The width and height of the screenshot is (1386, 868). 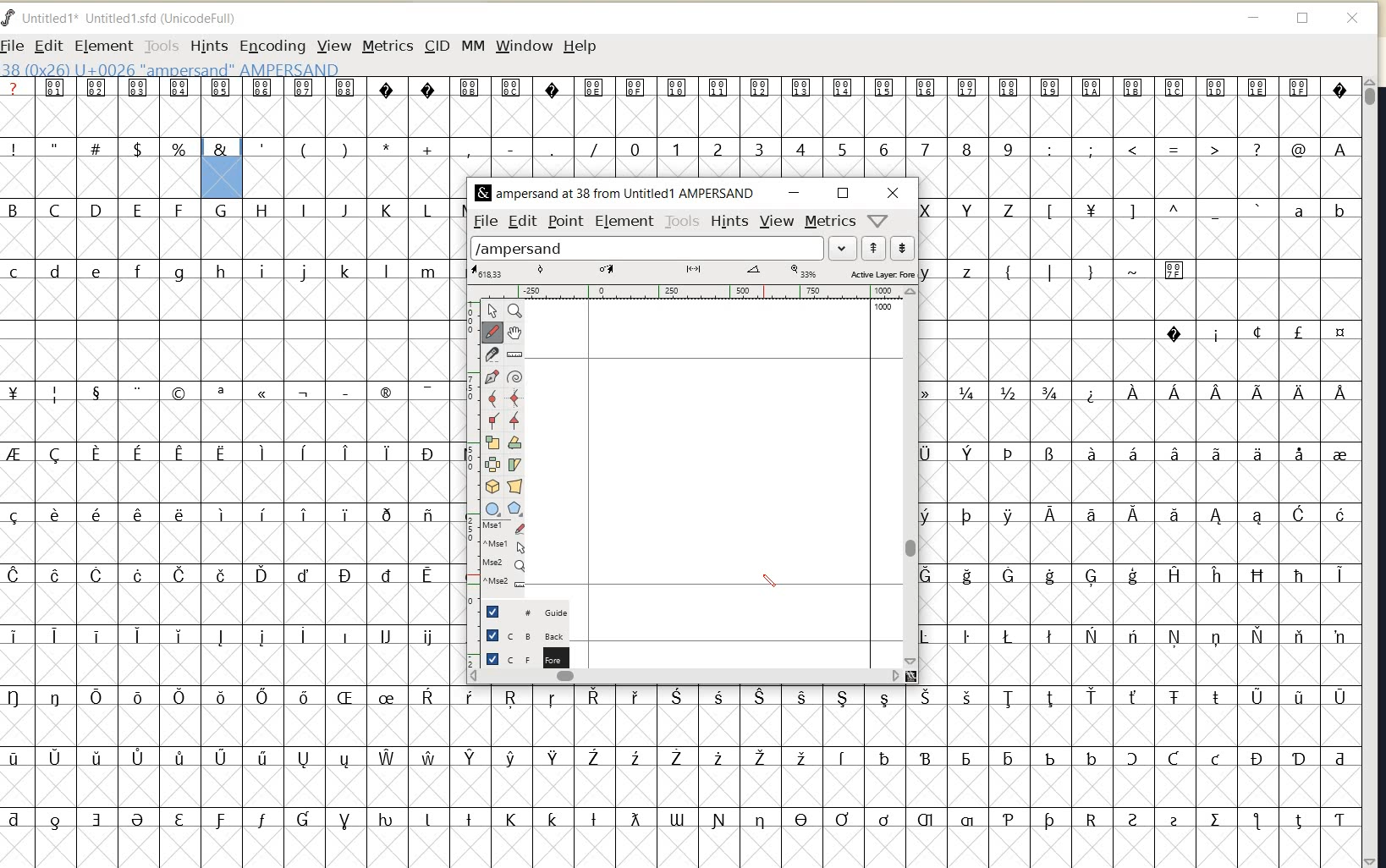 I want to click on load word list, so click(x=646, y=247).